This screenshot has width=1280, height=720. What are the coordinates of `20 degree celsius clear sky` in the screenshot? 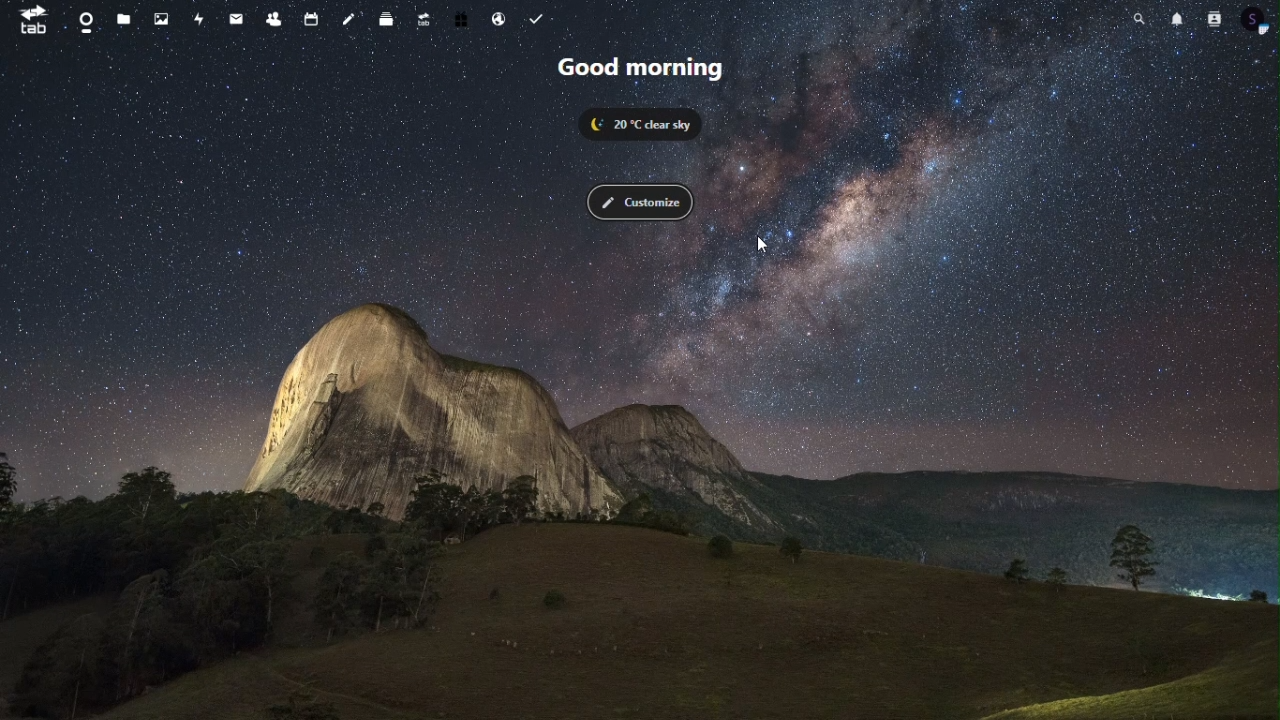 It's located at (648, 124).